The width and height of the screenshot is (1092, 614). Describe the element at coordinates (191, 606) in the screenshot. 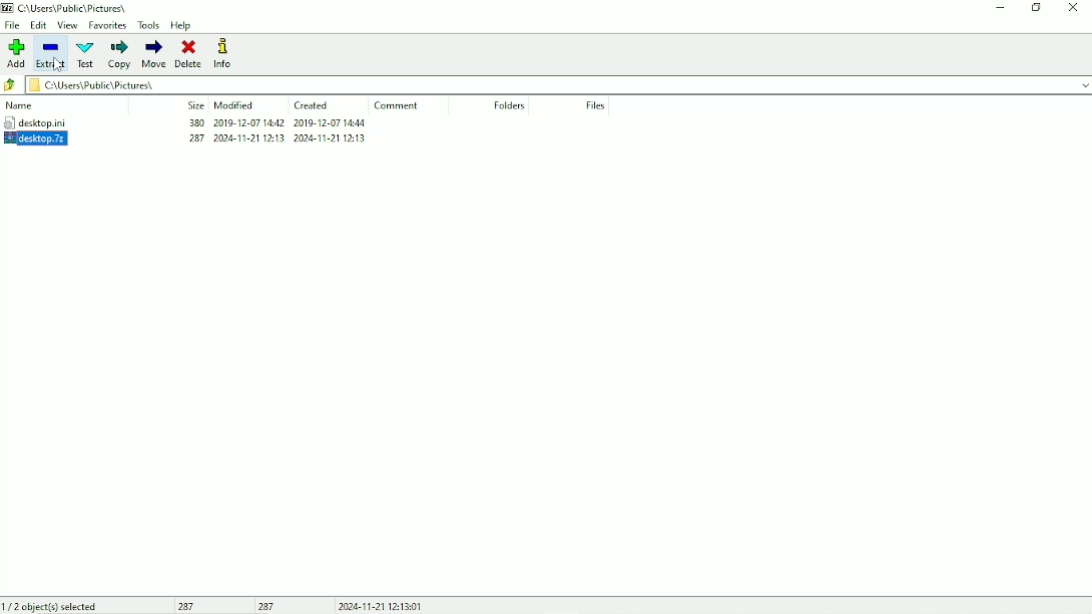

I see `287` at that location.